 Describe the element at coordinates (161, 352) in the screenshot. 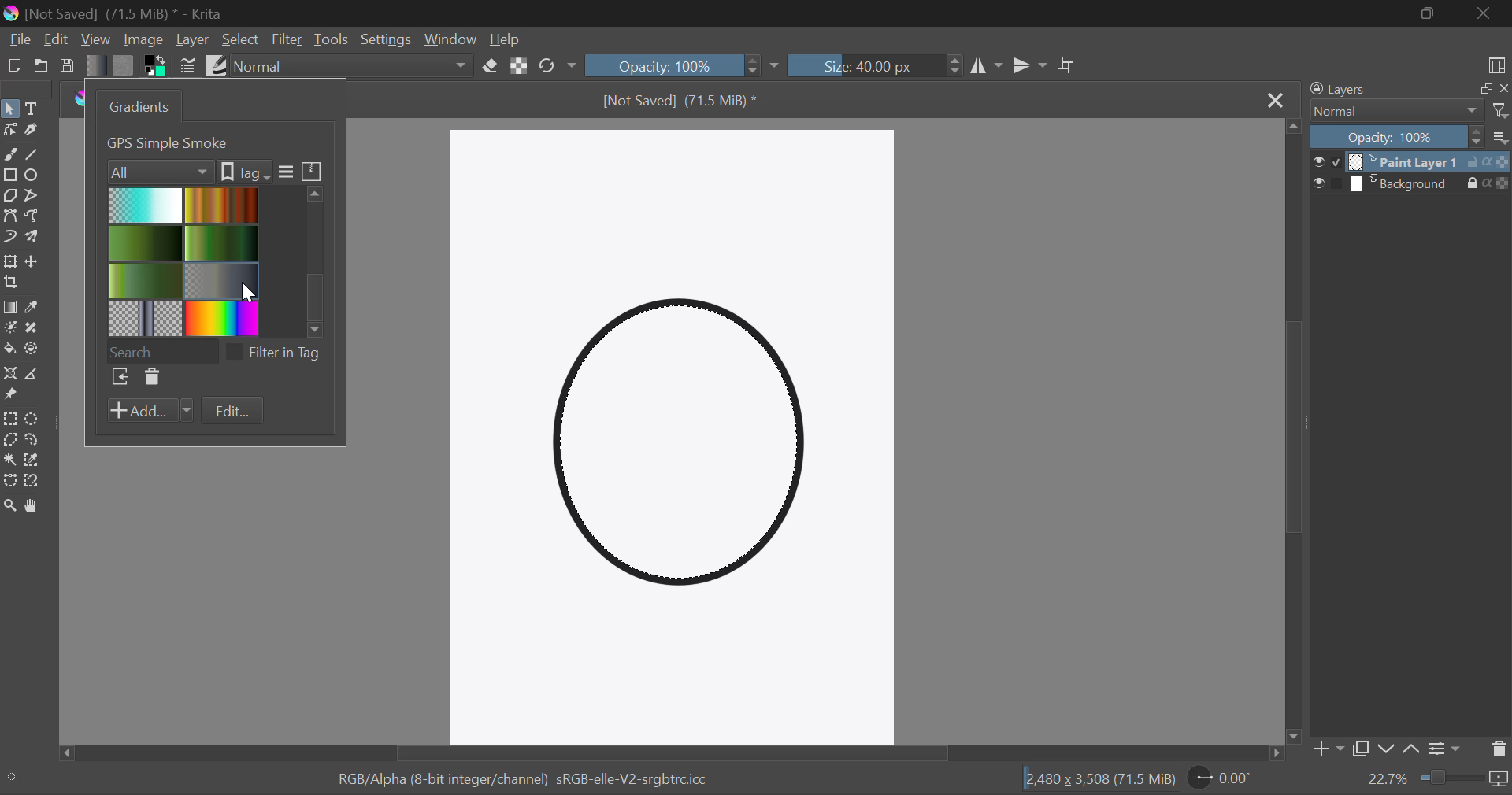

I see `Search` at that location.